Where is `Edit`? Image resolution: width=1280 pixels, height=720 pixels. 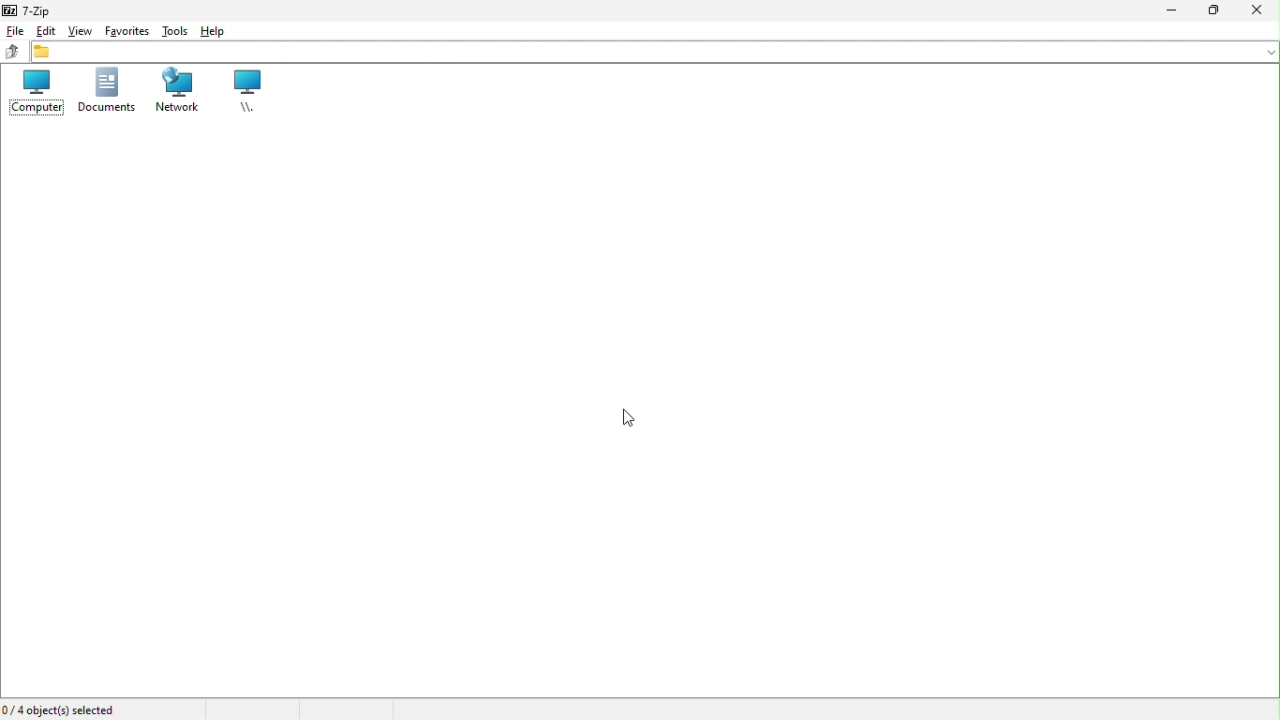 Edit is located at coordinates (43, 31).